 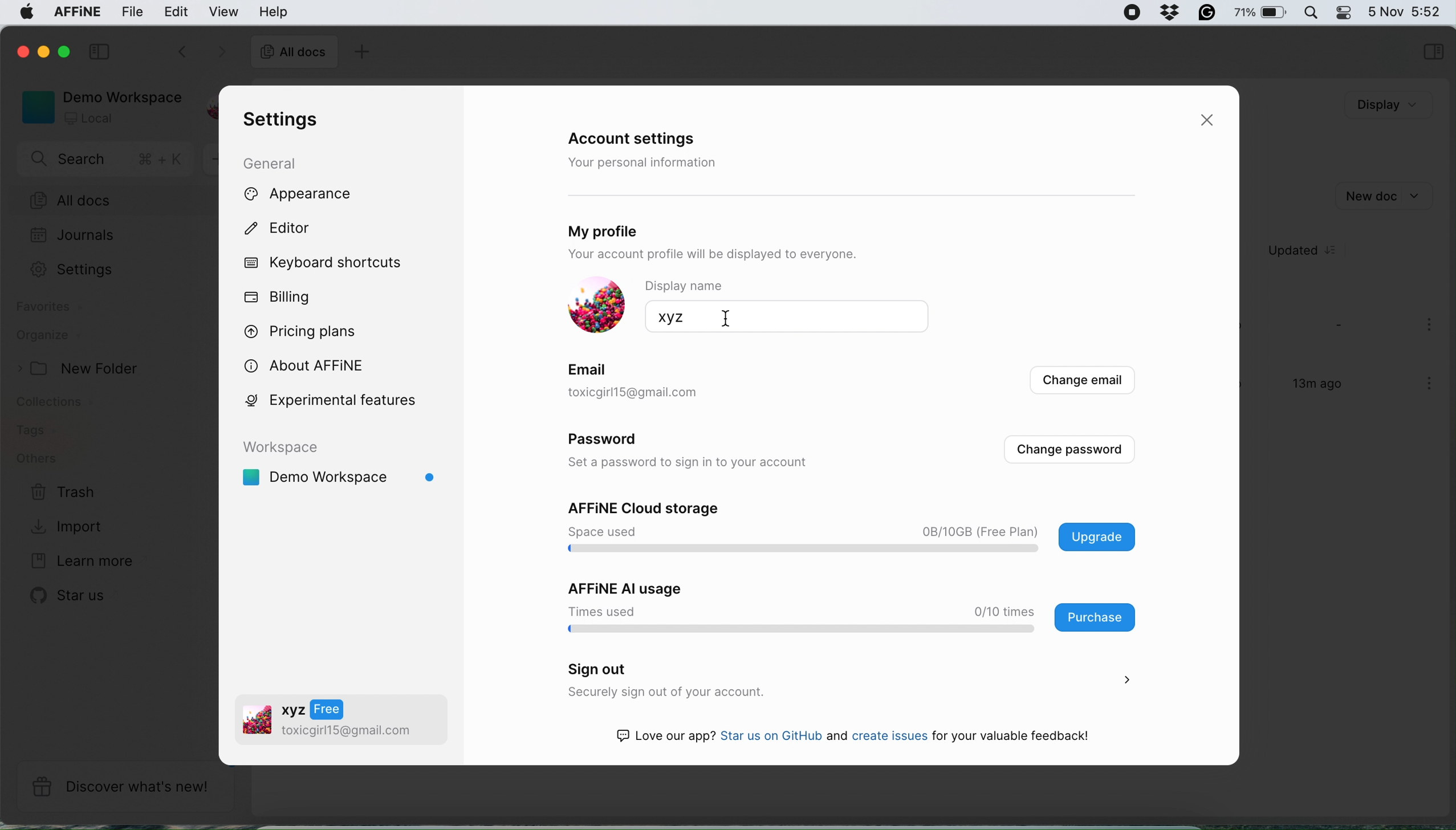 I want to click on 5 Nov 5:44, so click(x=1404, y=10).